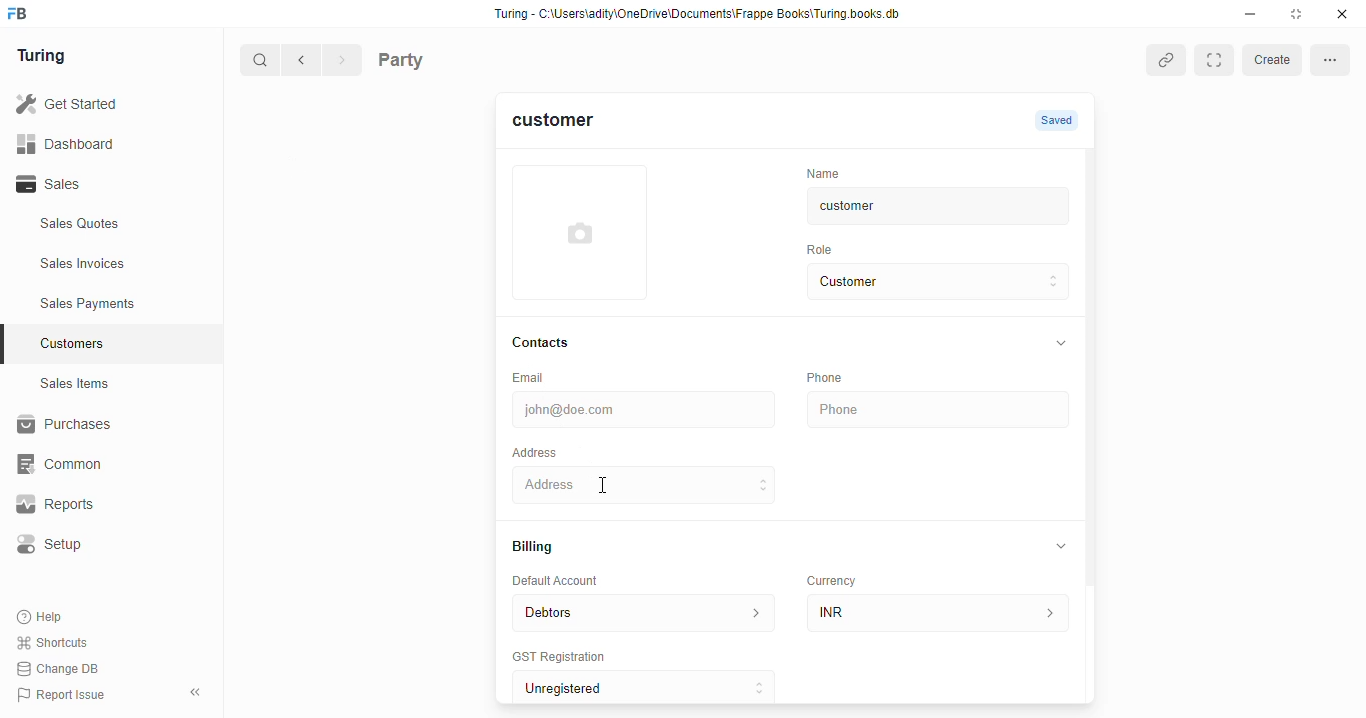 The height and width of the screenshot is (718, 1366). Describe the element at coordinates (641, 408) in the screenshot. I see `john@doe.com` at that location.